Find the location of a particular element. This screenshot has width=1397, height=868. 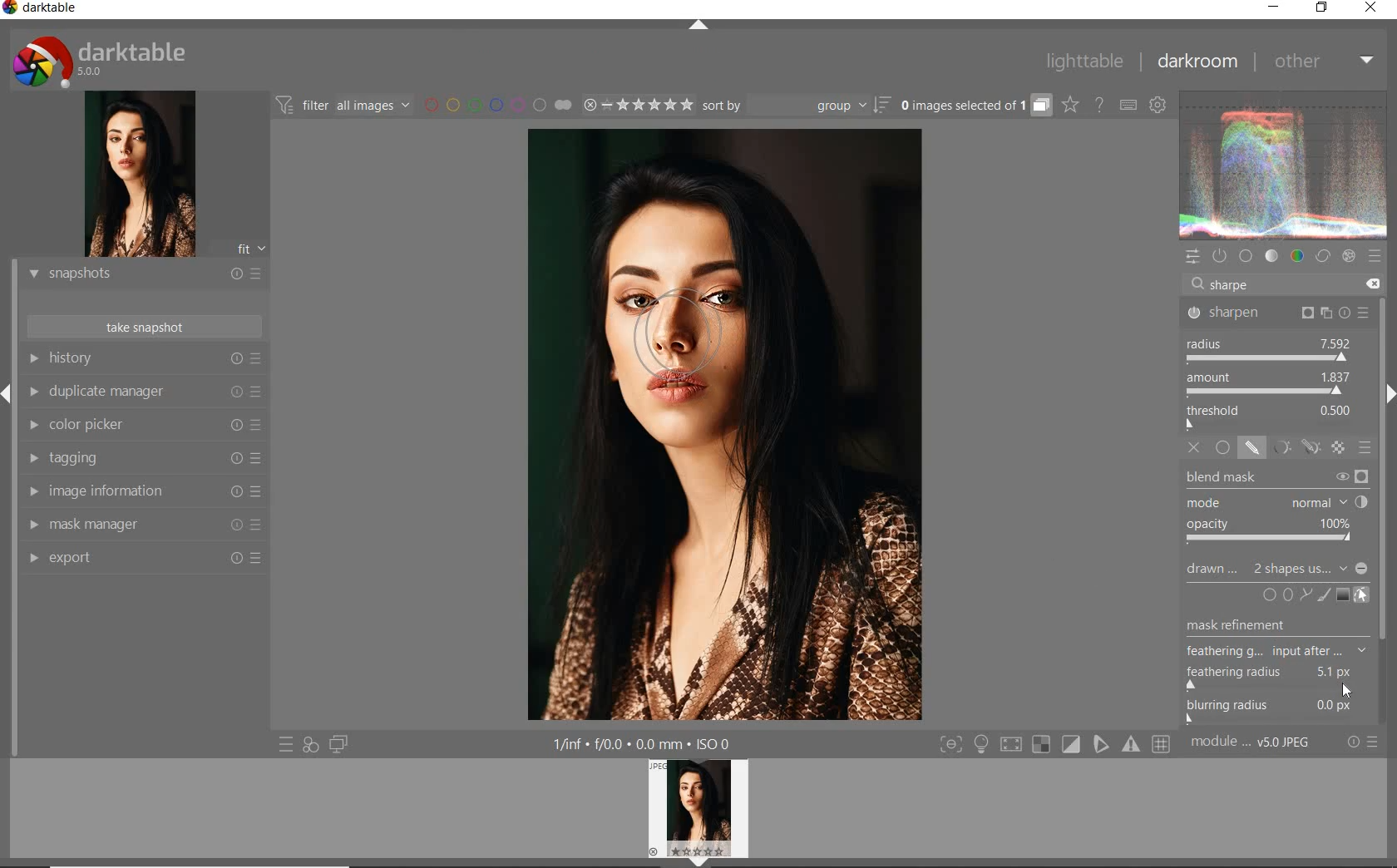

selected image is located at coordinates (723, 427).